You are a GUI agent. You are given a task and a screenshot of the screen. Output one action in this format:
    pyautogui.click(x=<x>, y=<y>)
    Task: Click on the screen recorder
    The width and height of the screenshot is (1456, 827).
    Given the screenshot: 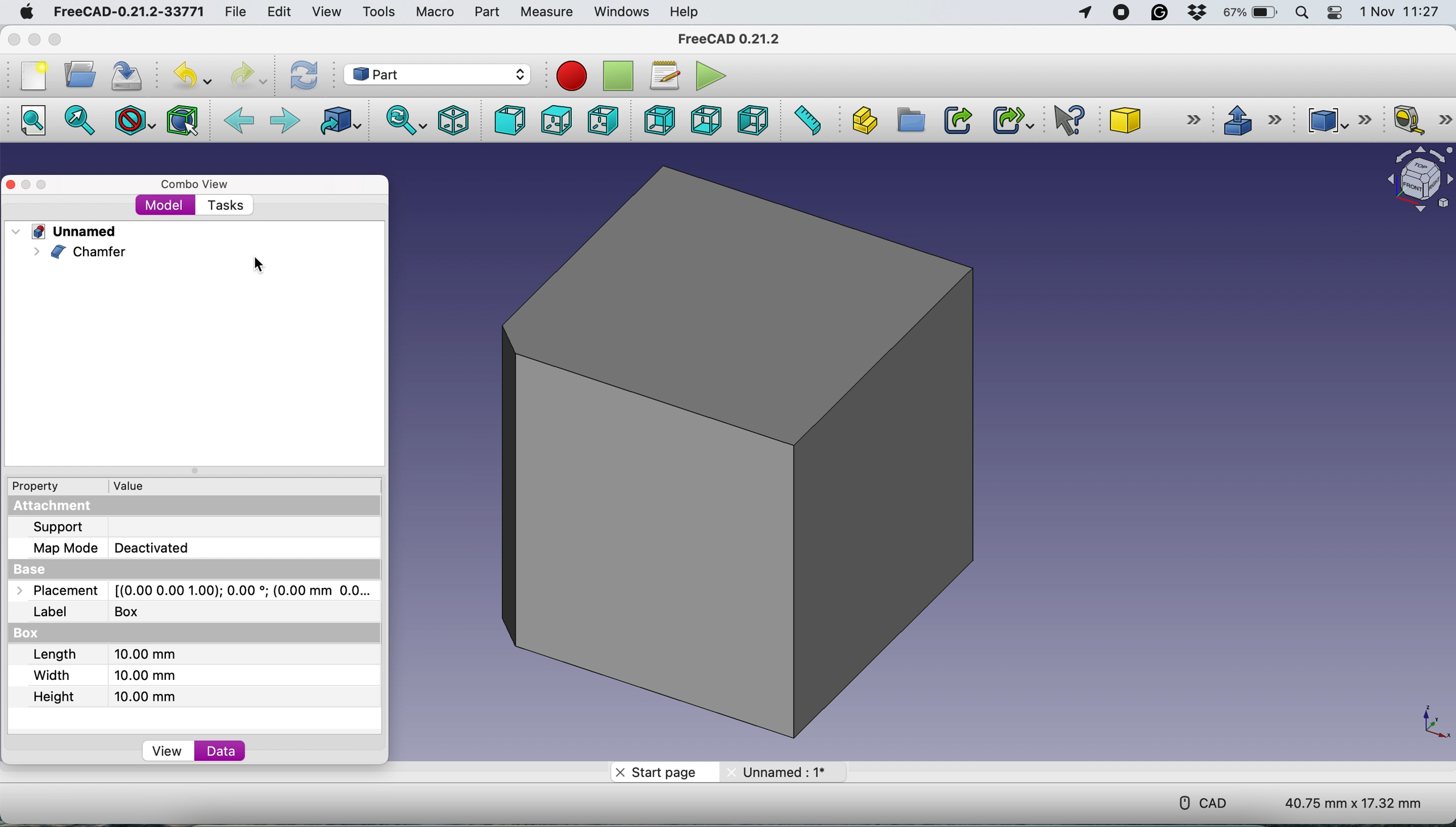 What is the action you would take?
    pyautogui.click(x=1122, y=12)
    